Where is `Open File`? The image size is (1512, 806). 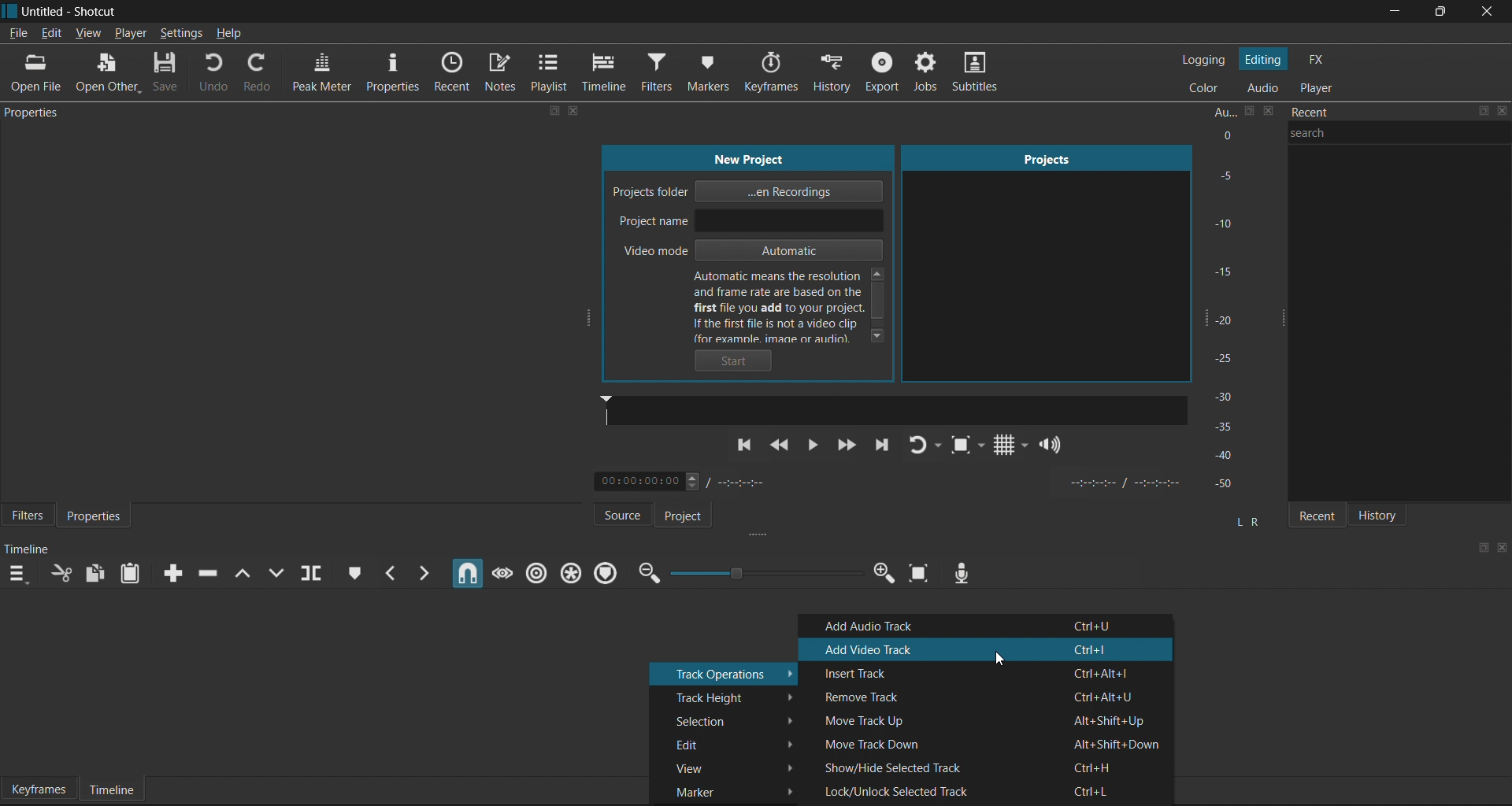
Open File is located at coordinates (39, 73).